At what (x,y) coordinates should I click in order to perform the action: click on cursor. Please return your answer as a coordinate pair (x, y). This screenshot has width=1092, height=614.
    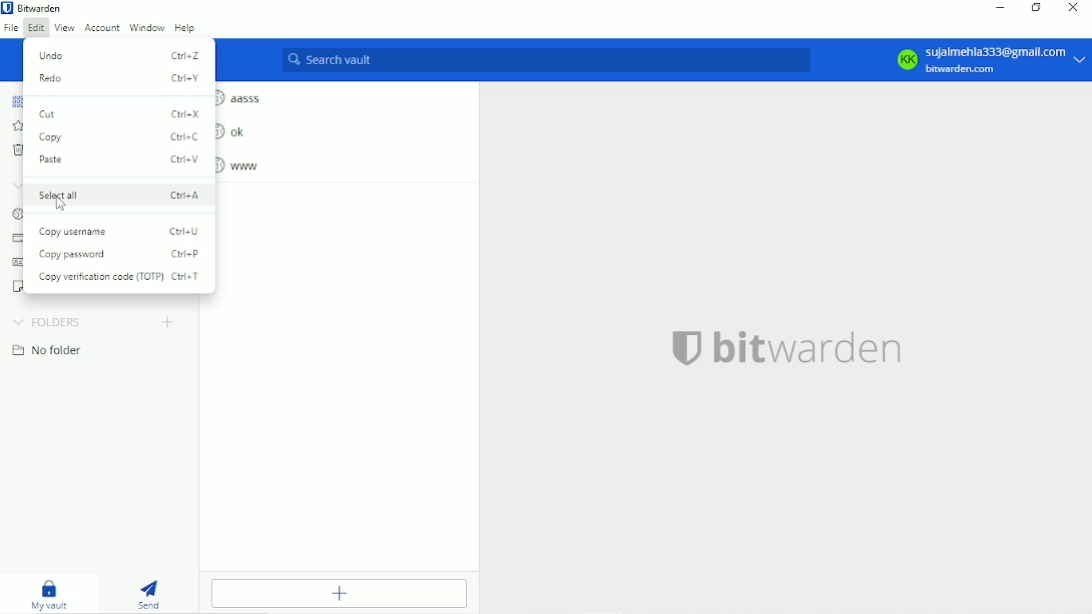
    Looking at the image, I should click on (61, 204).